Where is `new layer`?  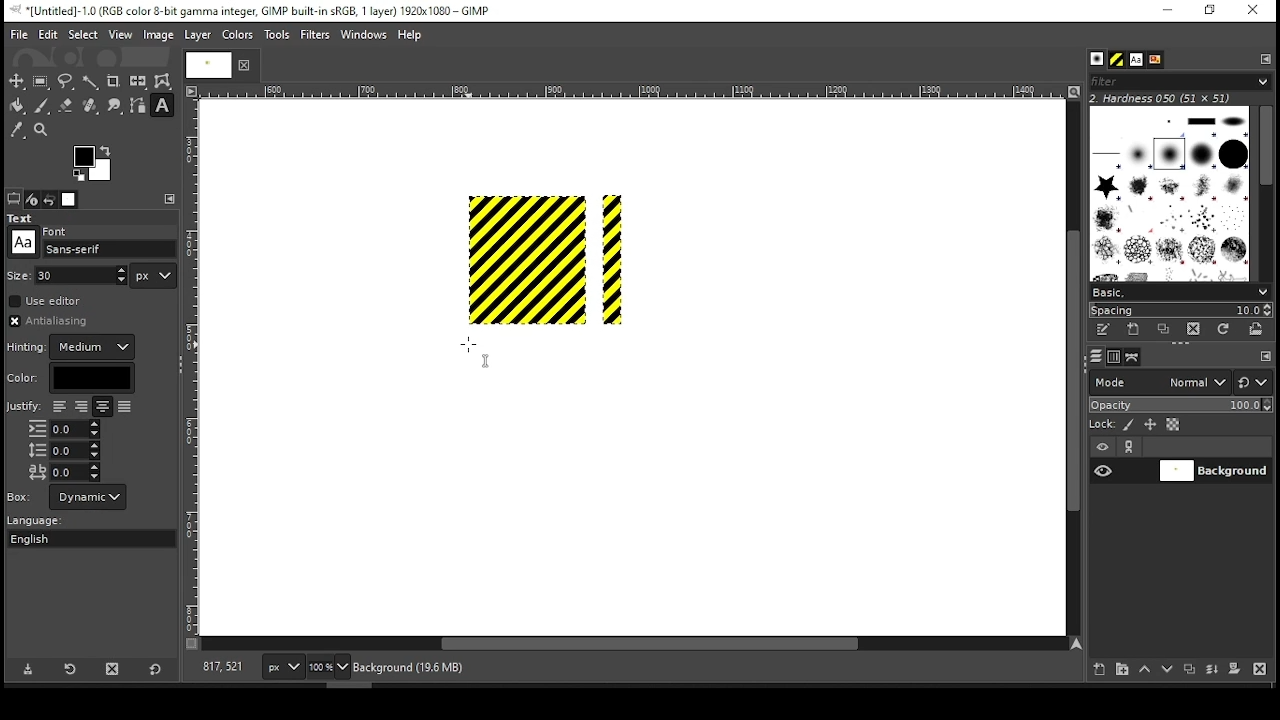
new layer is located at coordinates (1095, 667).